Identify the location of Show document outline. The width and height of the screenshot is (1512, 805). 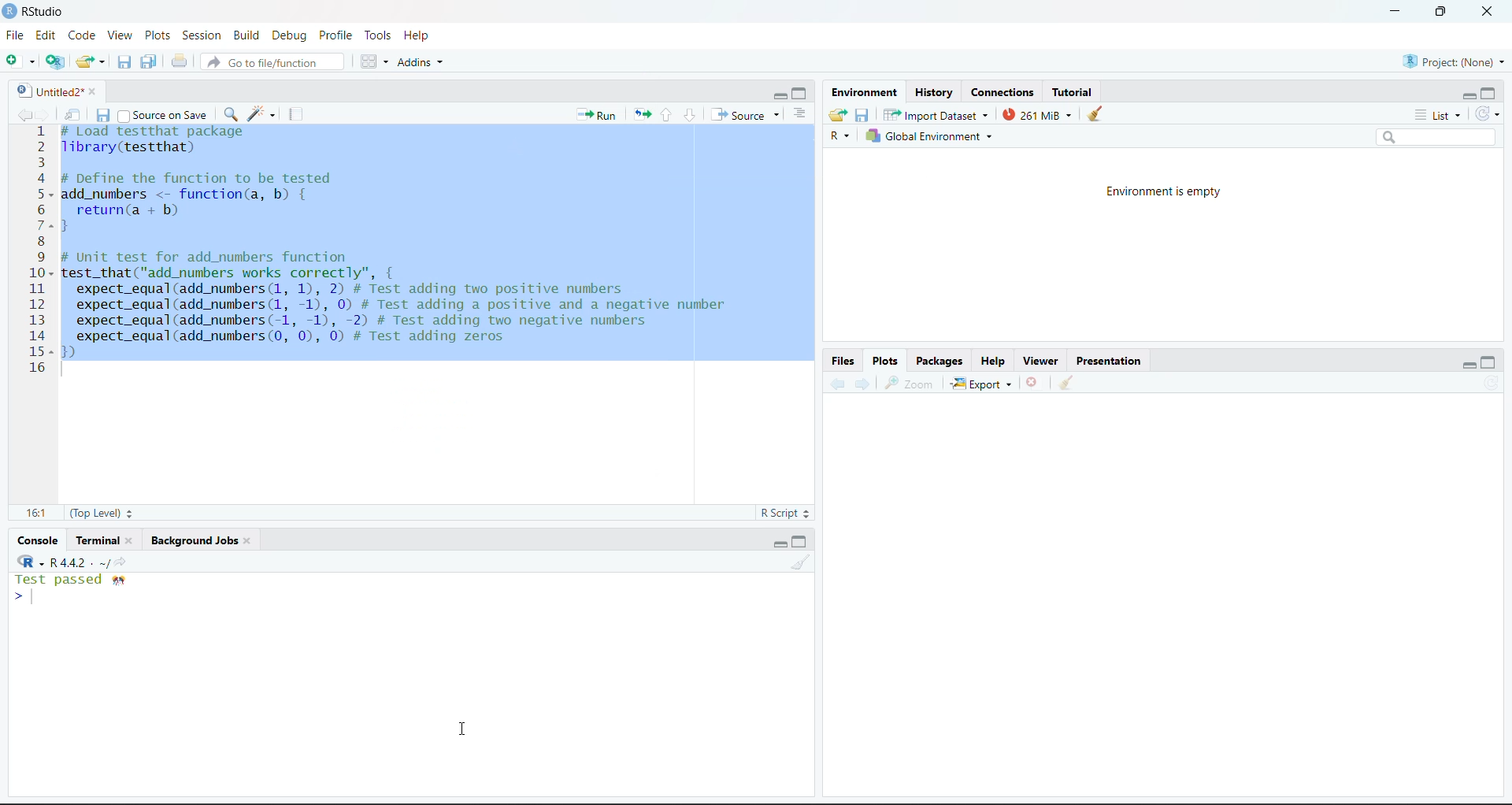
(801, 113).